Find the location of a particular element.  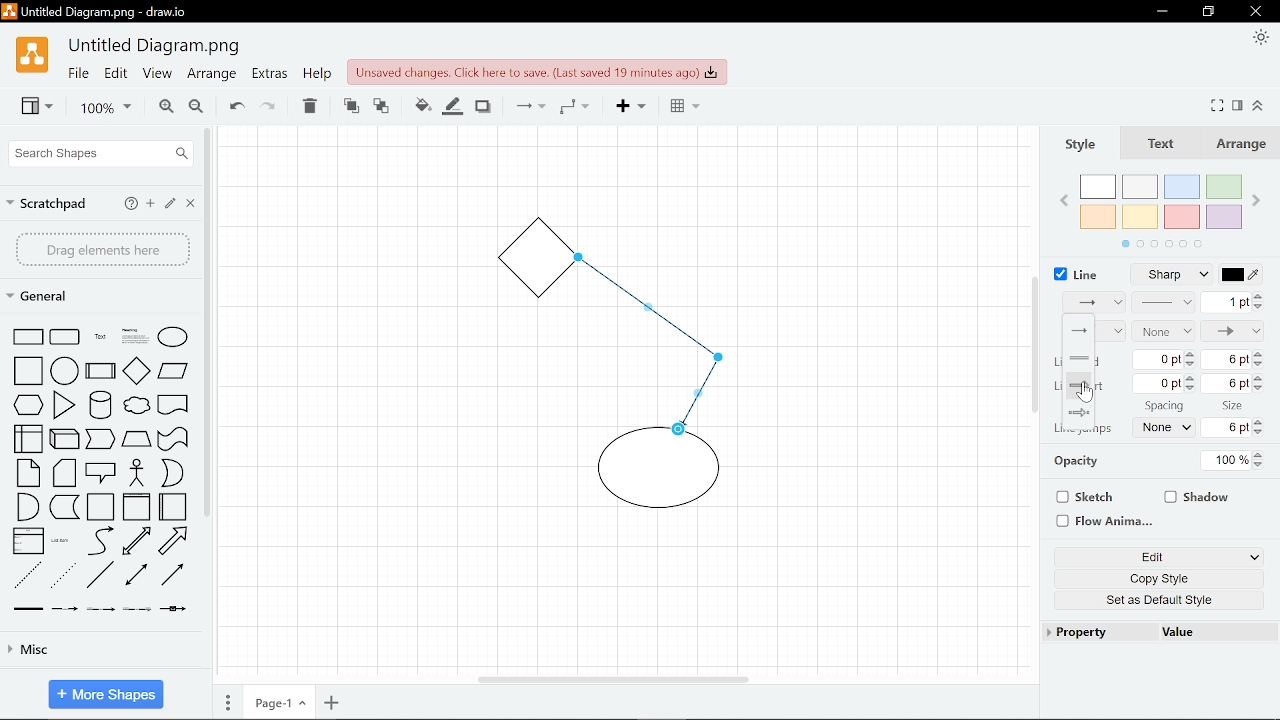

shape is located at coordinates (28, 473).